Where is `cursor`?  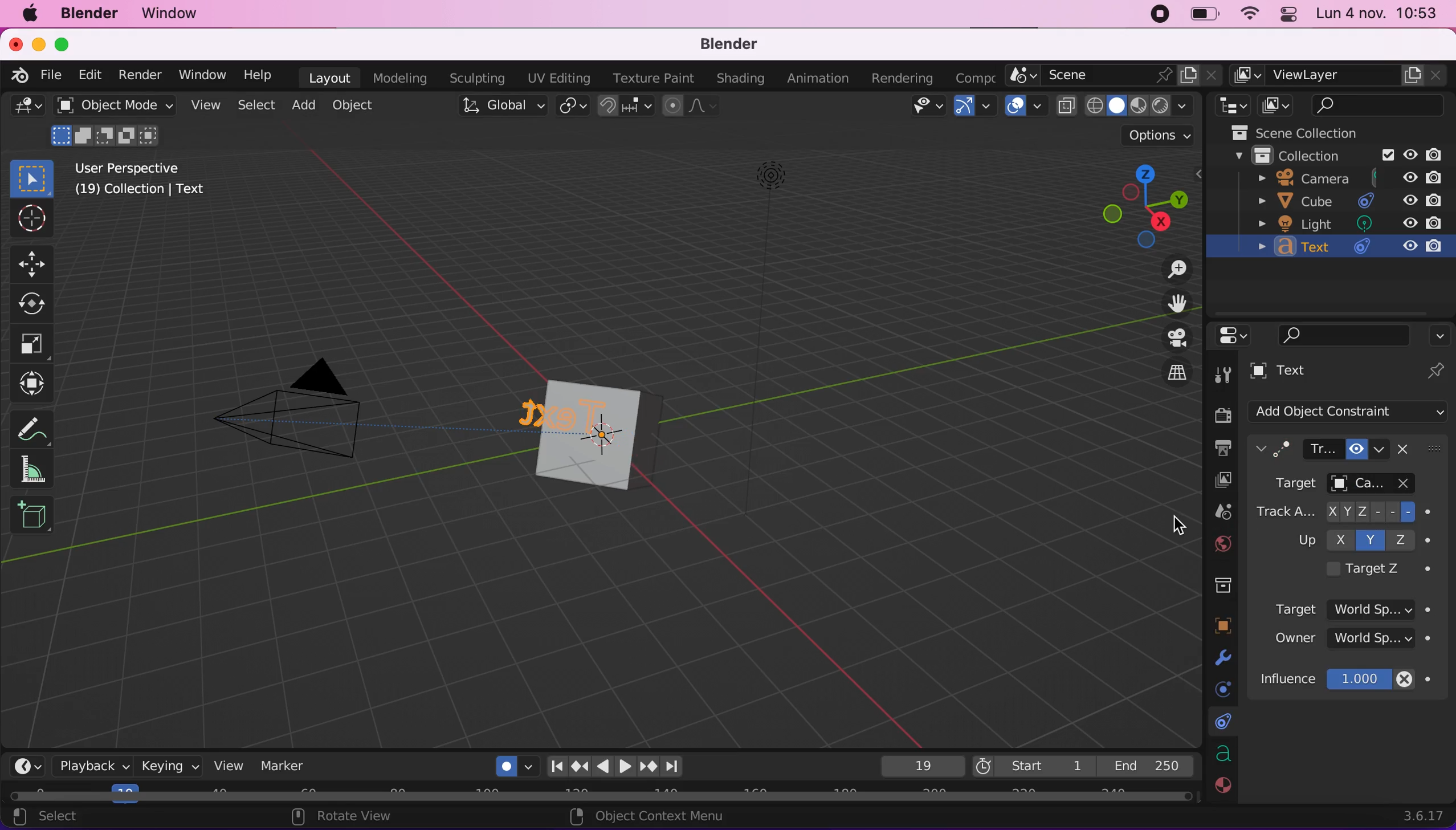 cursor is located at coordinates (1177, 525).